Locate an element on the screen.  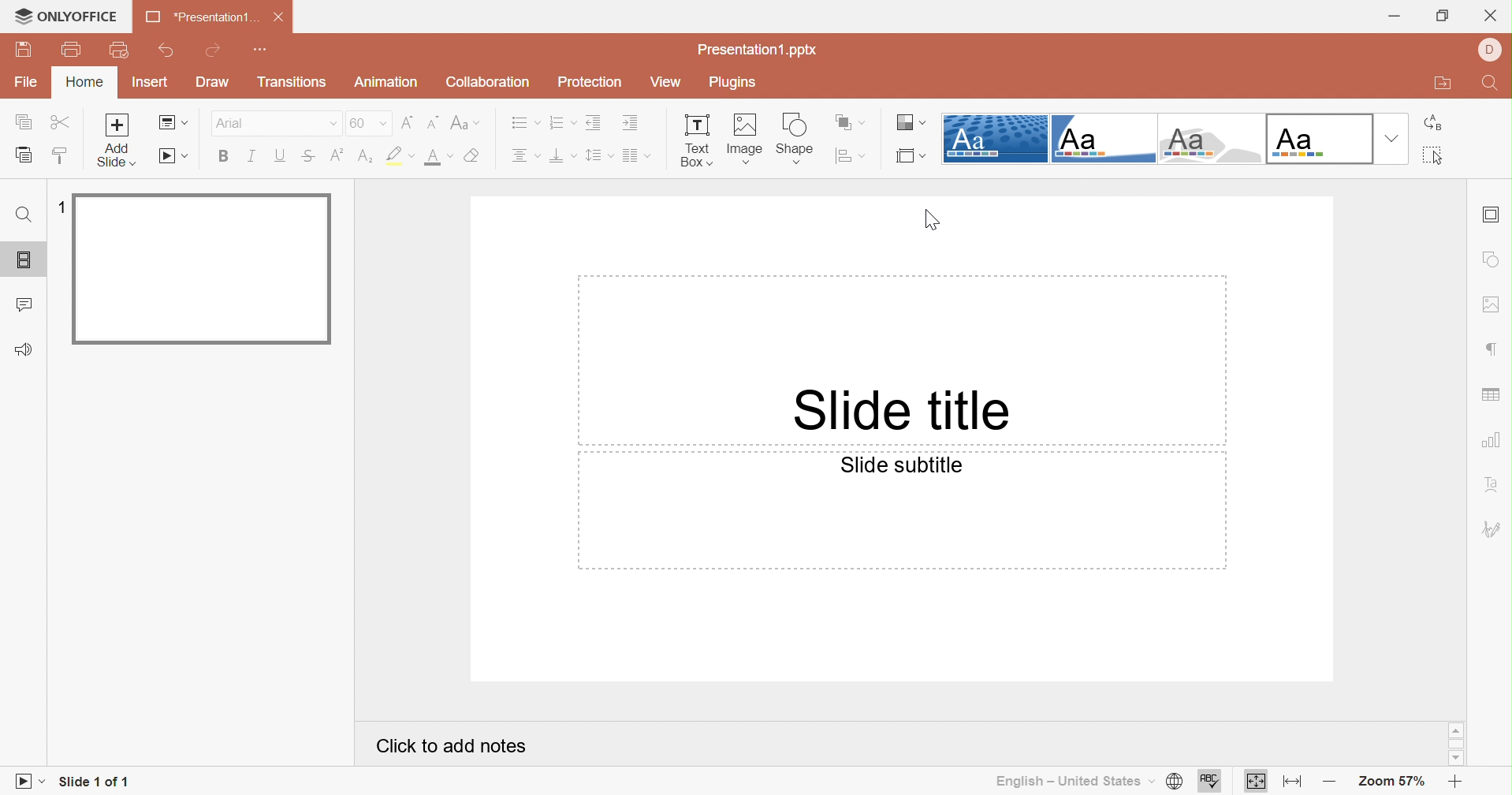
Plugins is located at coordinates (736, 80).